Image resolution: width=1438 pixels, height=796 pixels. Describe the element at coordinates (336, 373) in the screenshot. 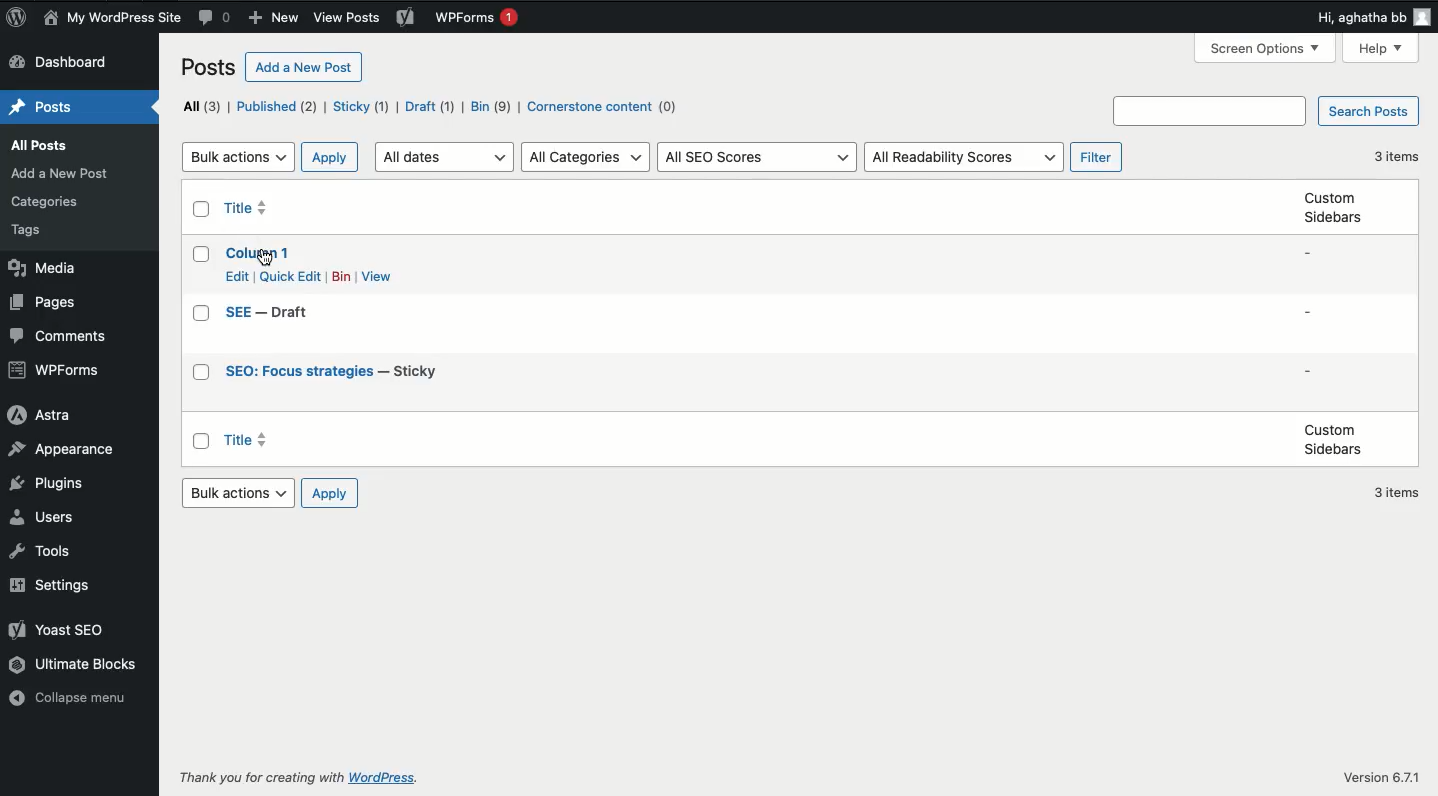

I see `SEO: Focus strategies` at that location.